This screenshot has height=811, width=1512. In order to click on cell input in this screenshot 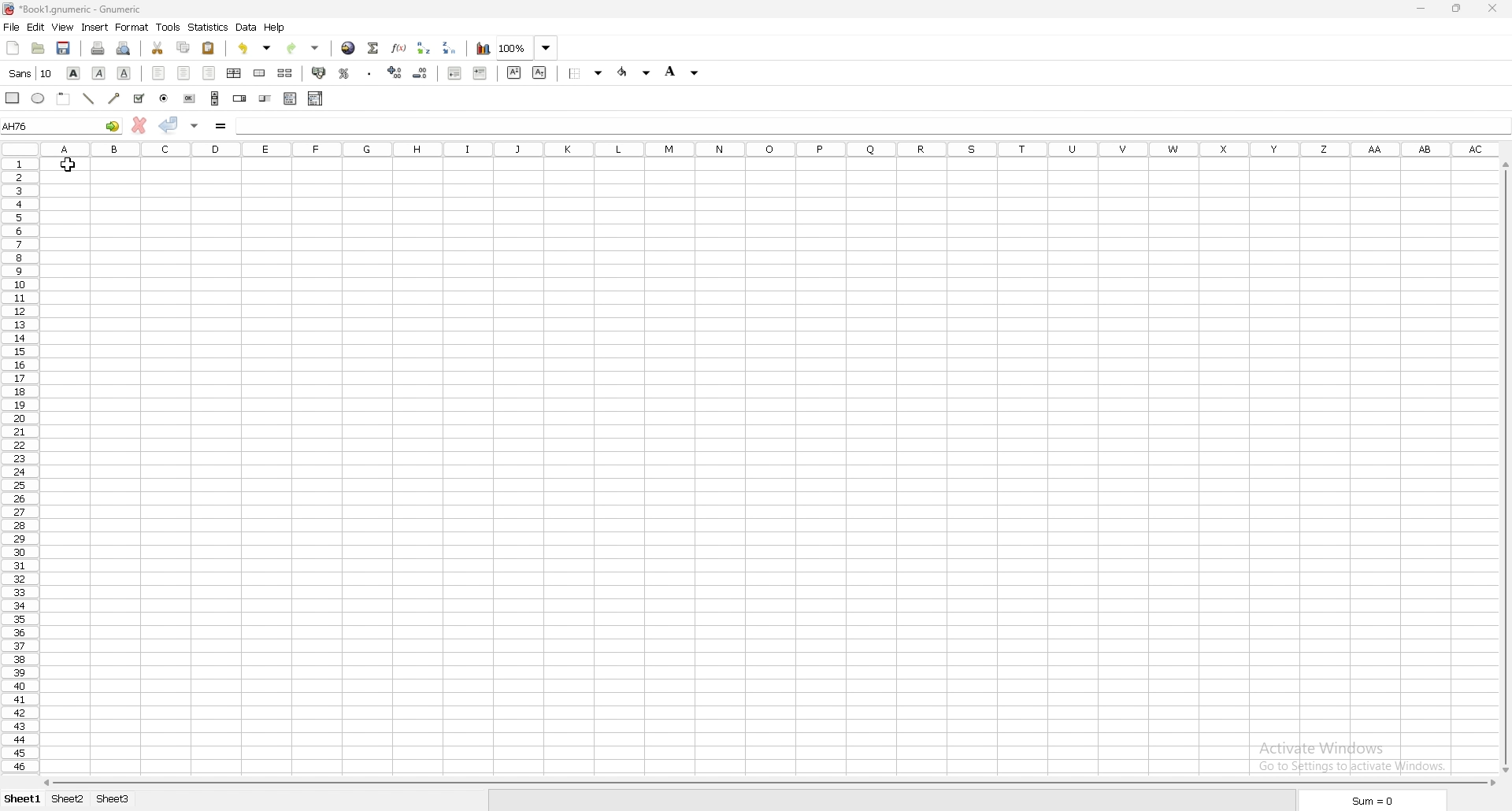, I will do `click(872, 125)`.